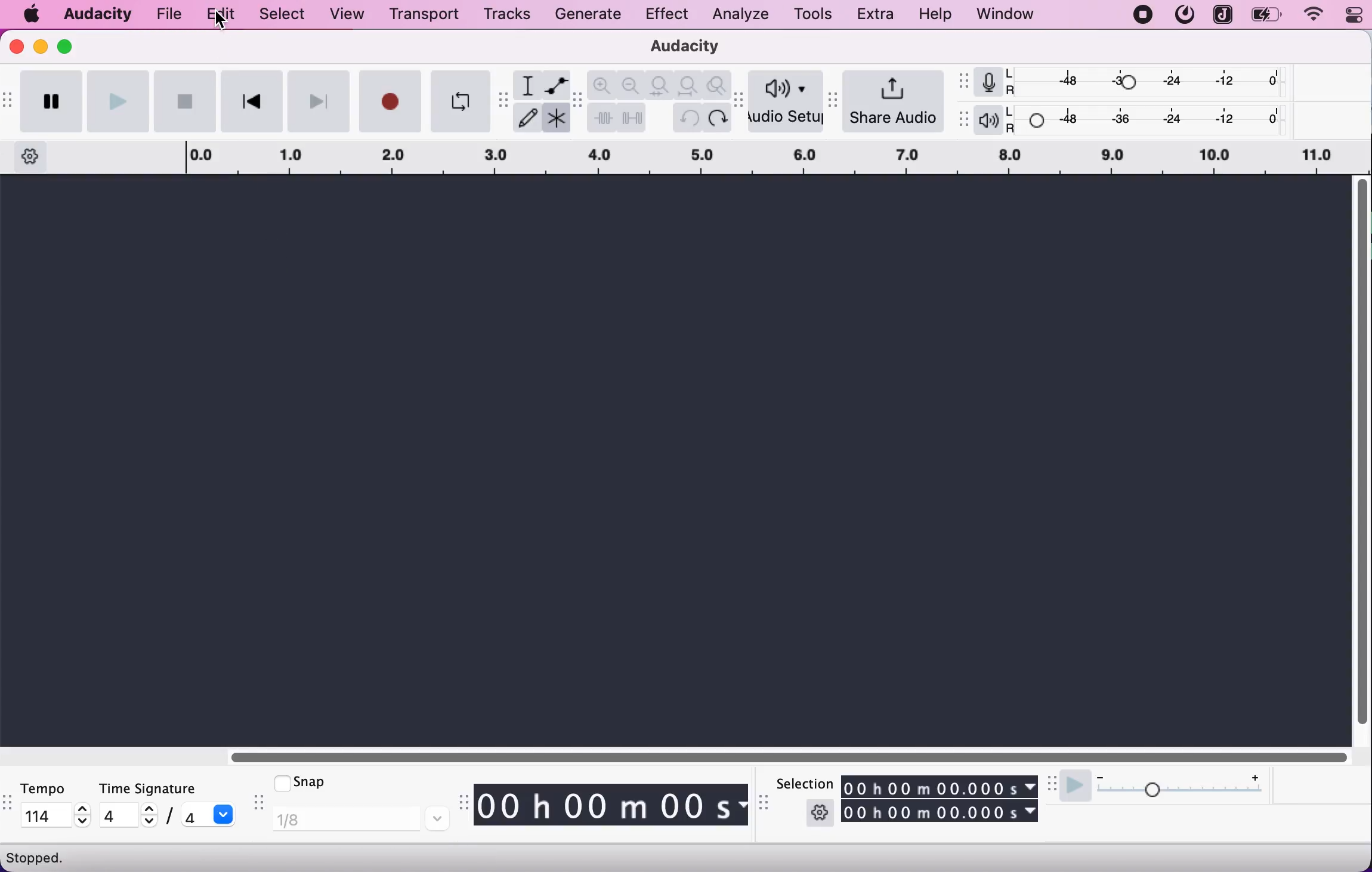  What do you see at coordinates (555, 120) in the screenshot?
I see `multitool` at bounding box center [555, 120].